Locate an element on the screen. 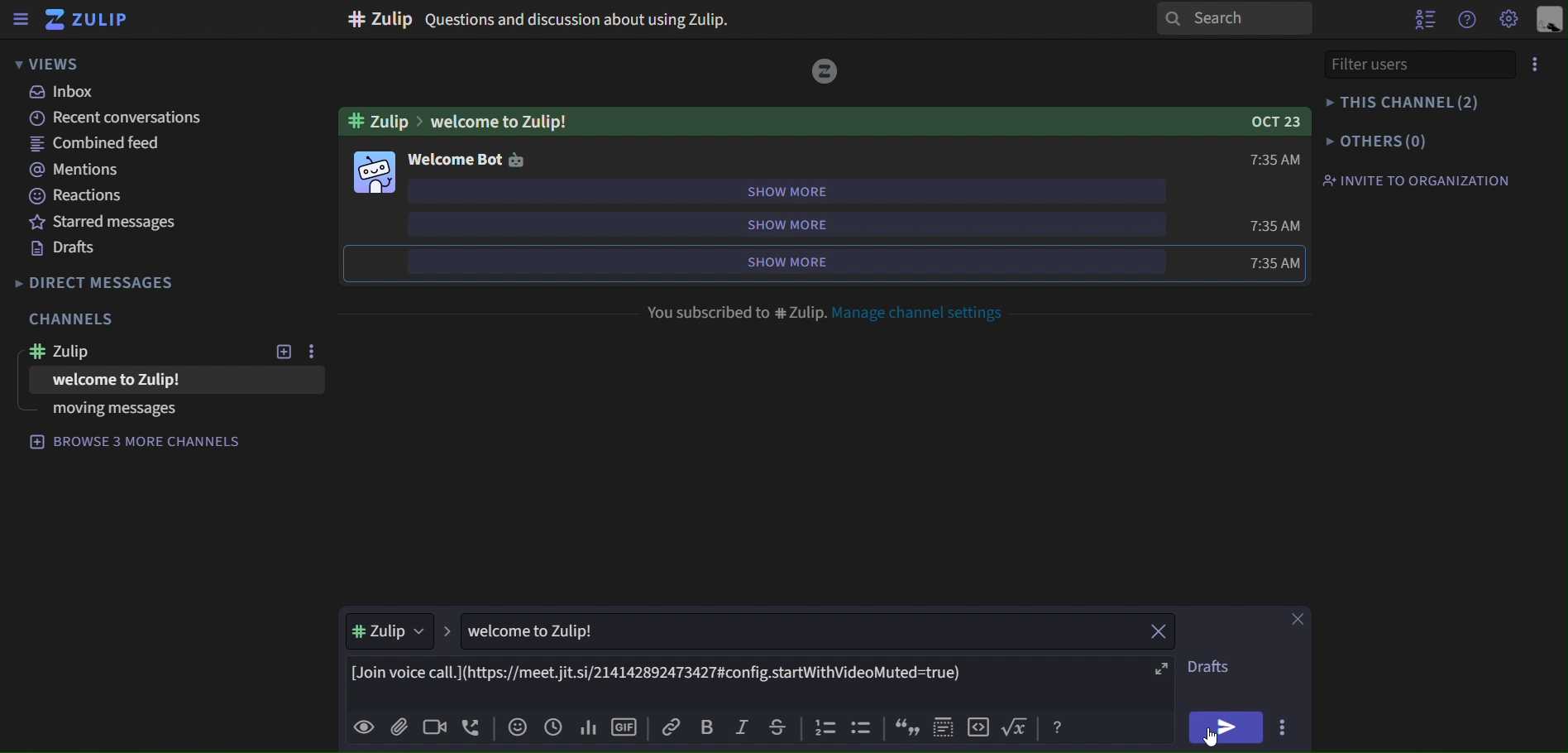  add emoji is located at coordinates (518, 727).